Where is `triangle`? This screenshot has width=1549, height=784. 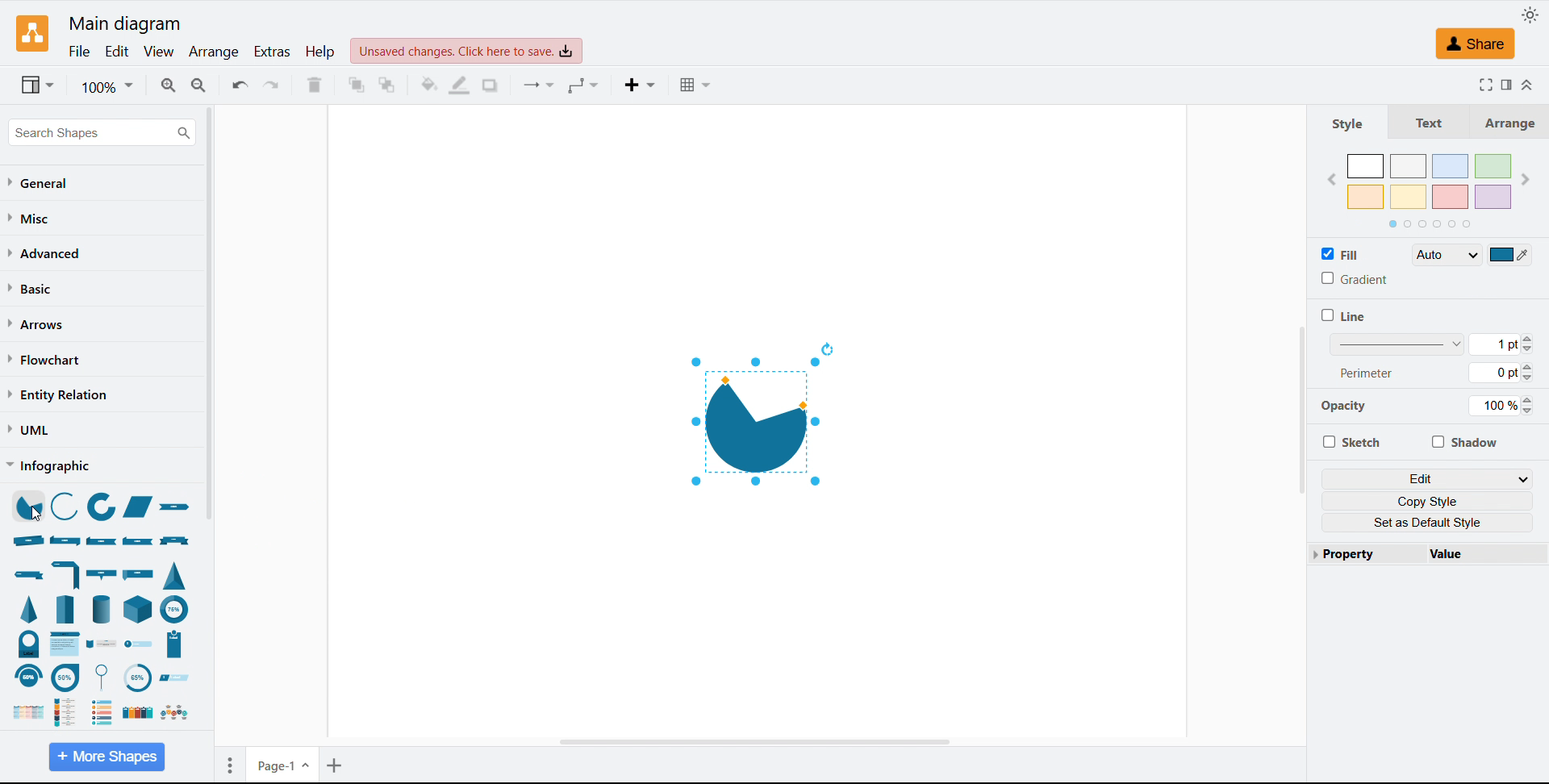 triangle is located at coordinates (173, 576).